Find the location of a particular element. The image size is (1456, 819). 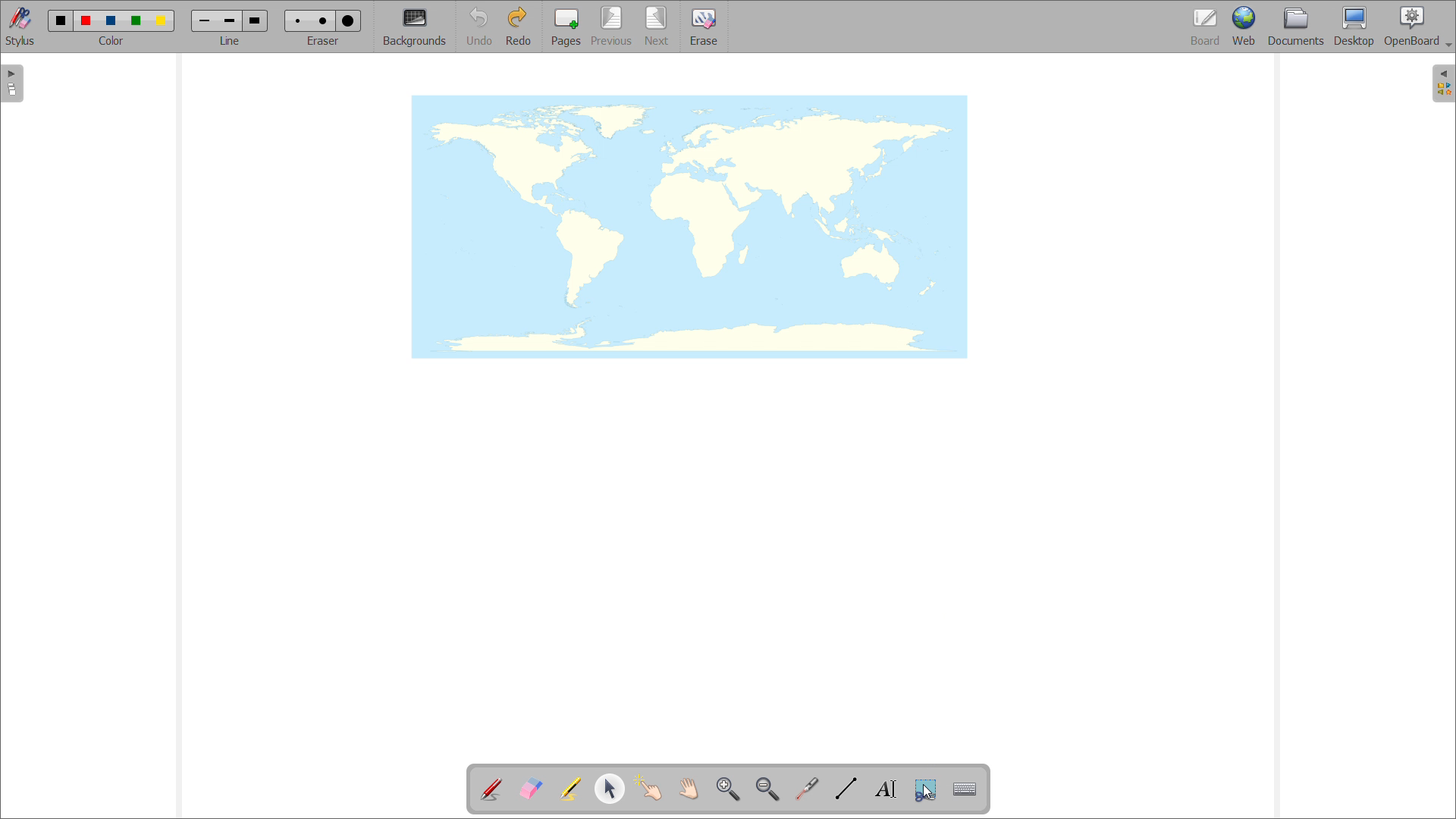

scroll page is located at coordinates (688, 788).